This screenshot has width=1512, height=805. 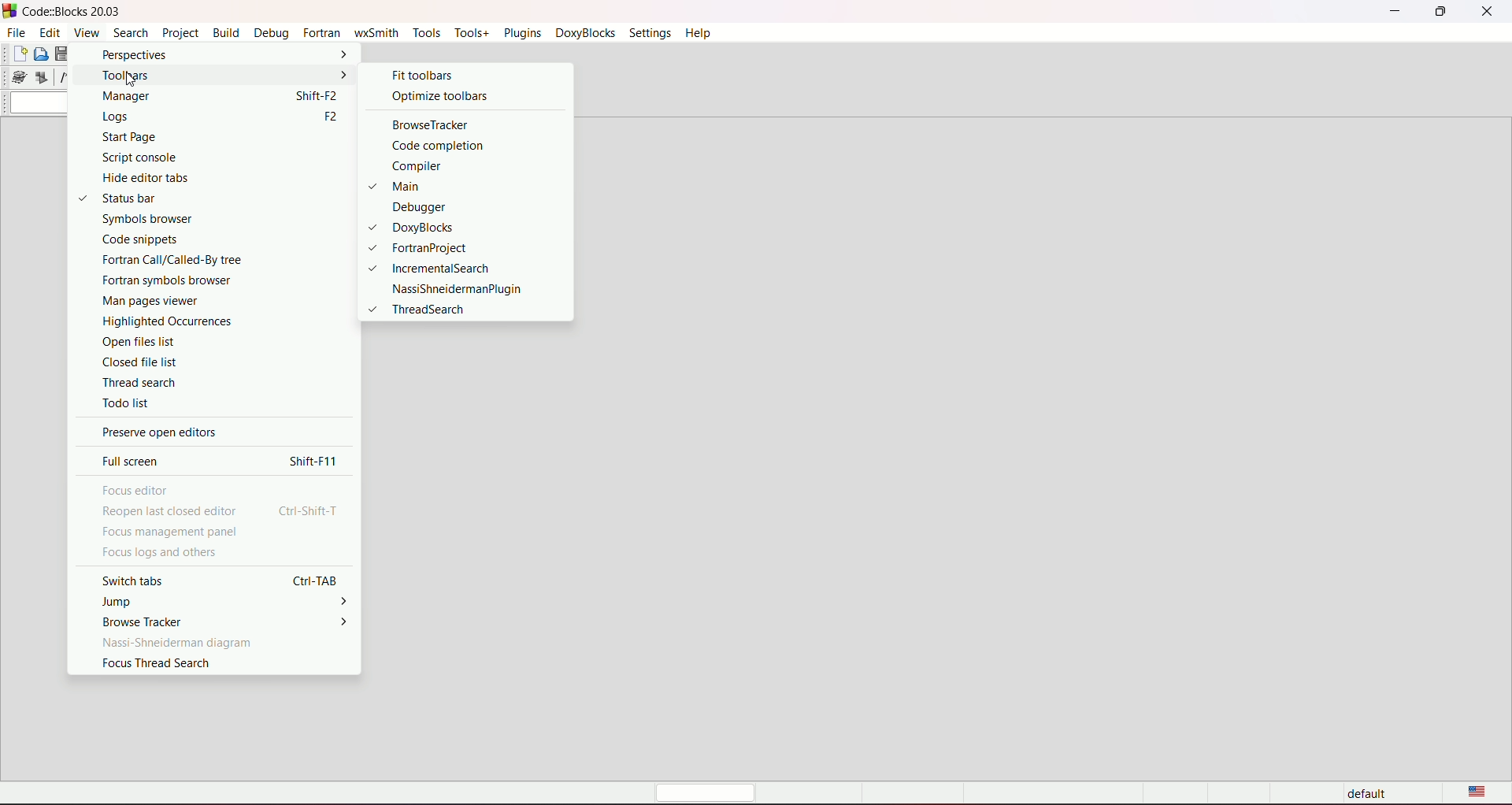 I want to click on ctrl+shift+T, so click(x=310, y=510).